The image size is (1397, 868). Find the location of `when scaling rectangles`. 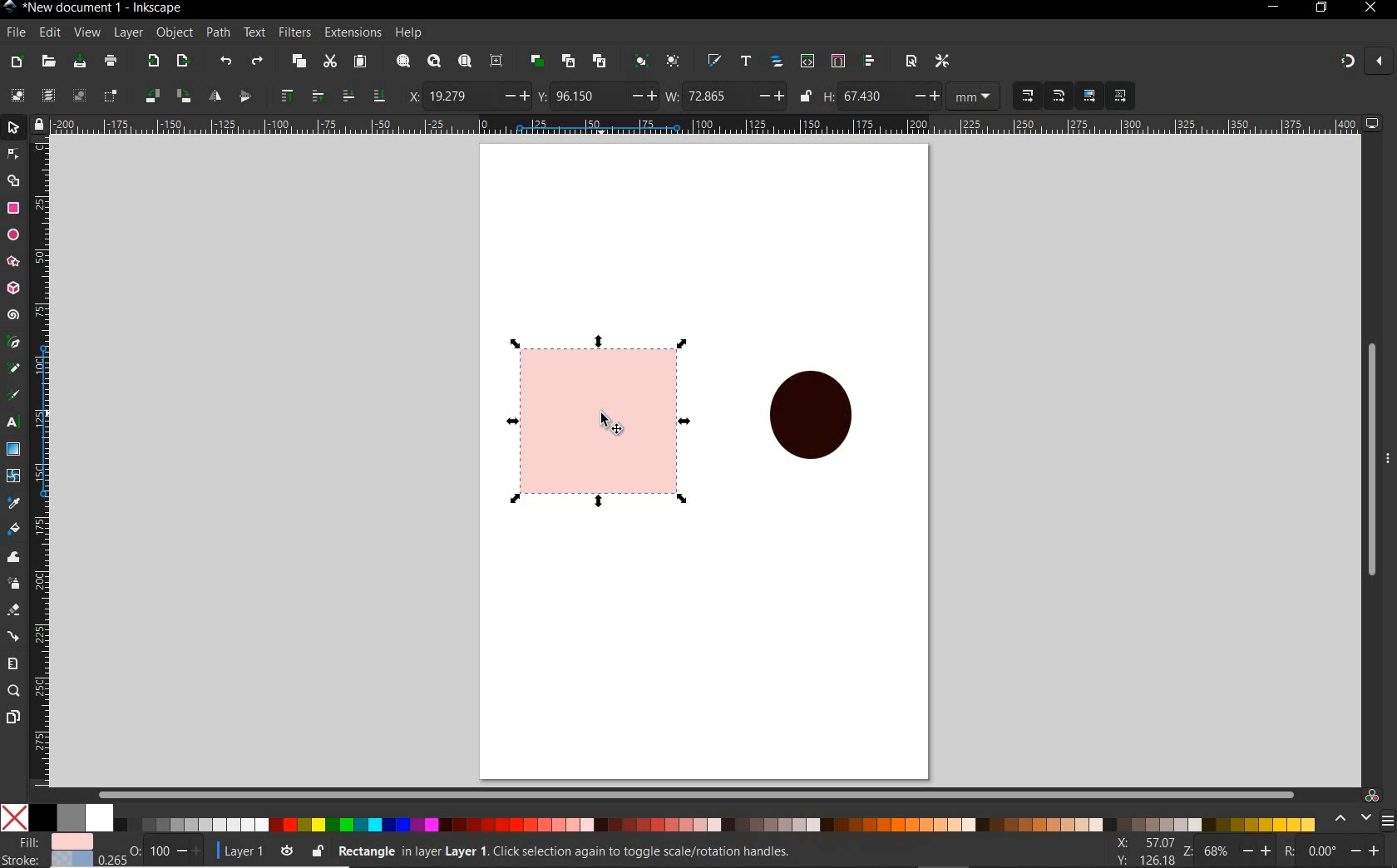

when scaling rectangles is located at coordinates (1059, 96).